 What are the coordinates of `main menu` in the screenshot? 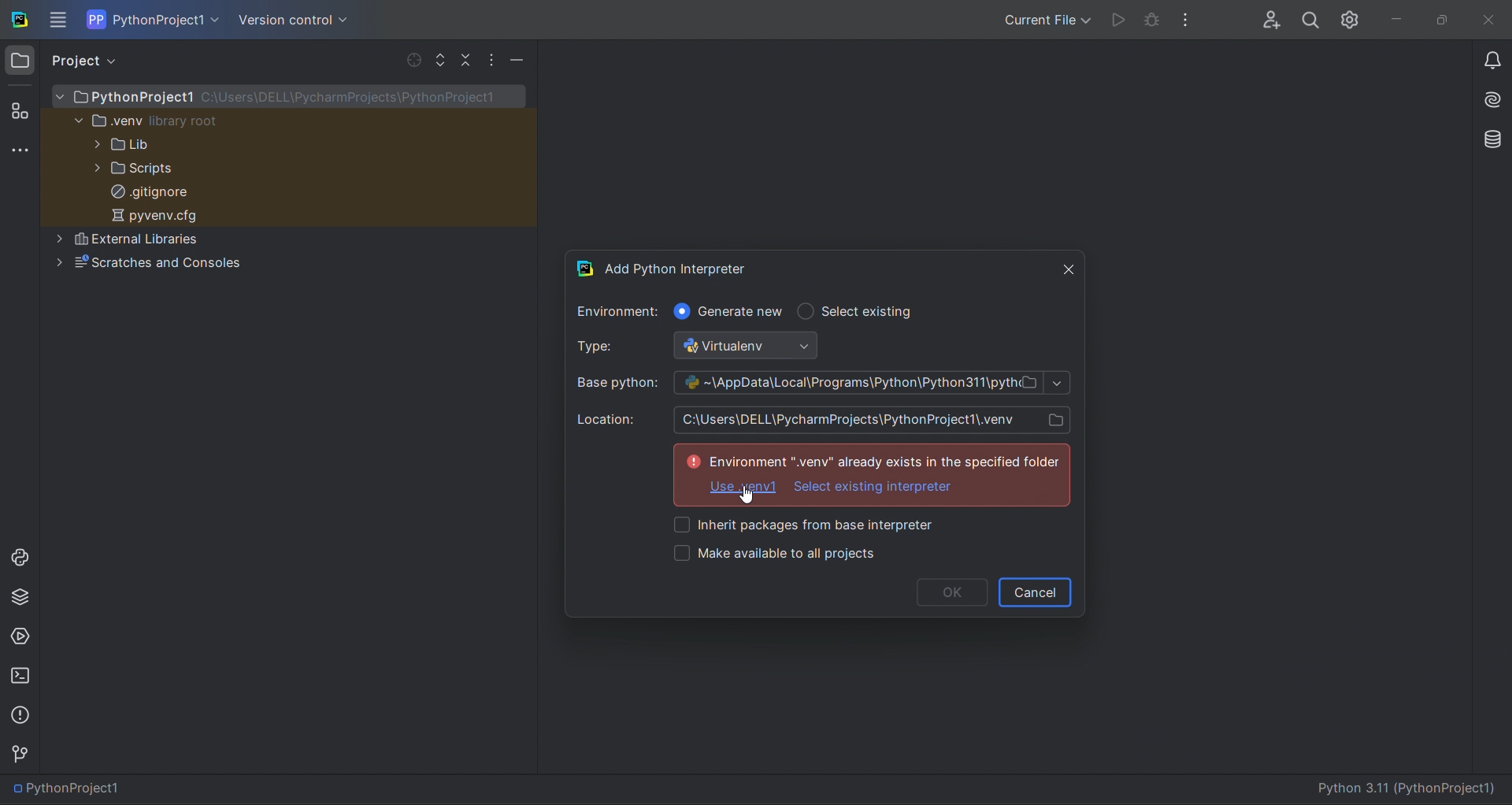 It's located at (60, 20).